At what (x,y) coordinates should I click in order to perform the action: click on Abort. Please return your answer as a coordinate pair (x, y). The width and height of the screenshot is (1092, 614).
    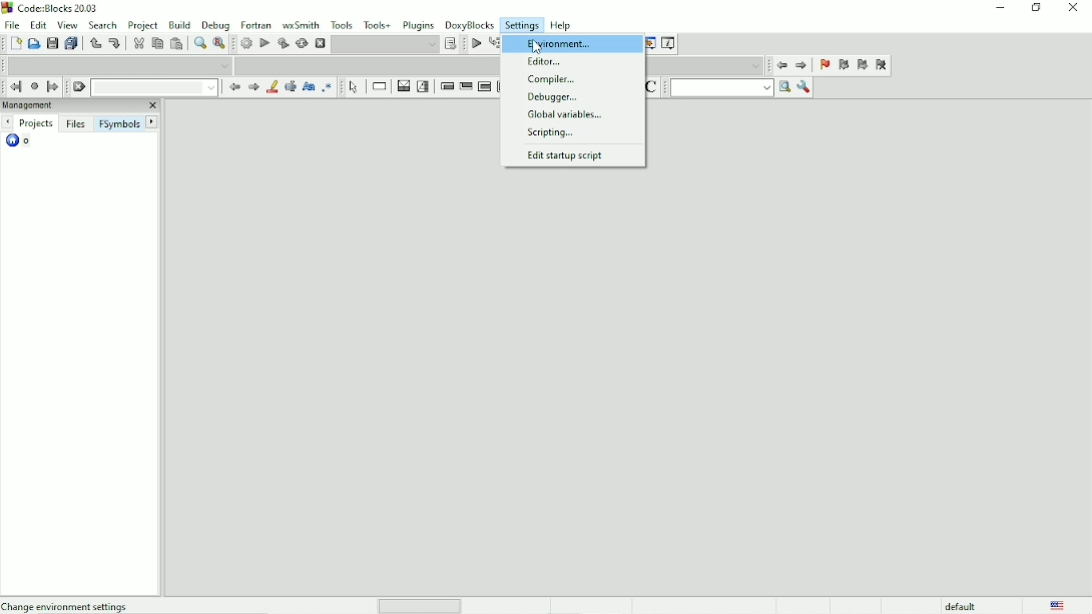
    Looking at the image, I should click on (319, 43).